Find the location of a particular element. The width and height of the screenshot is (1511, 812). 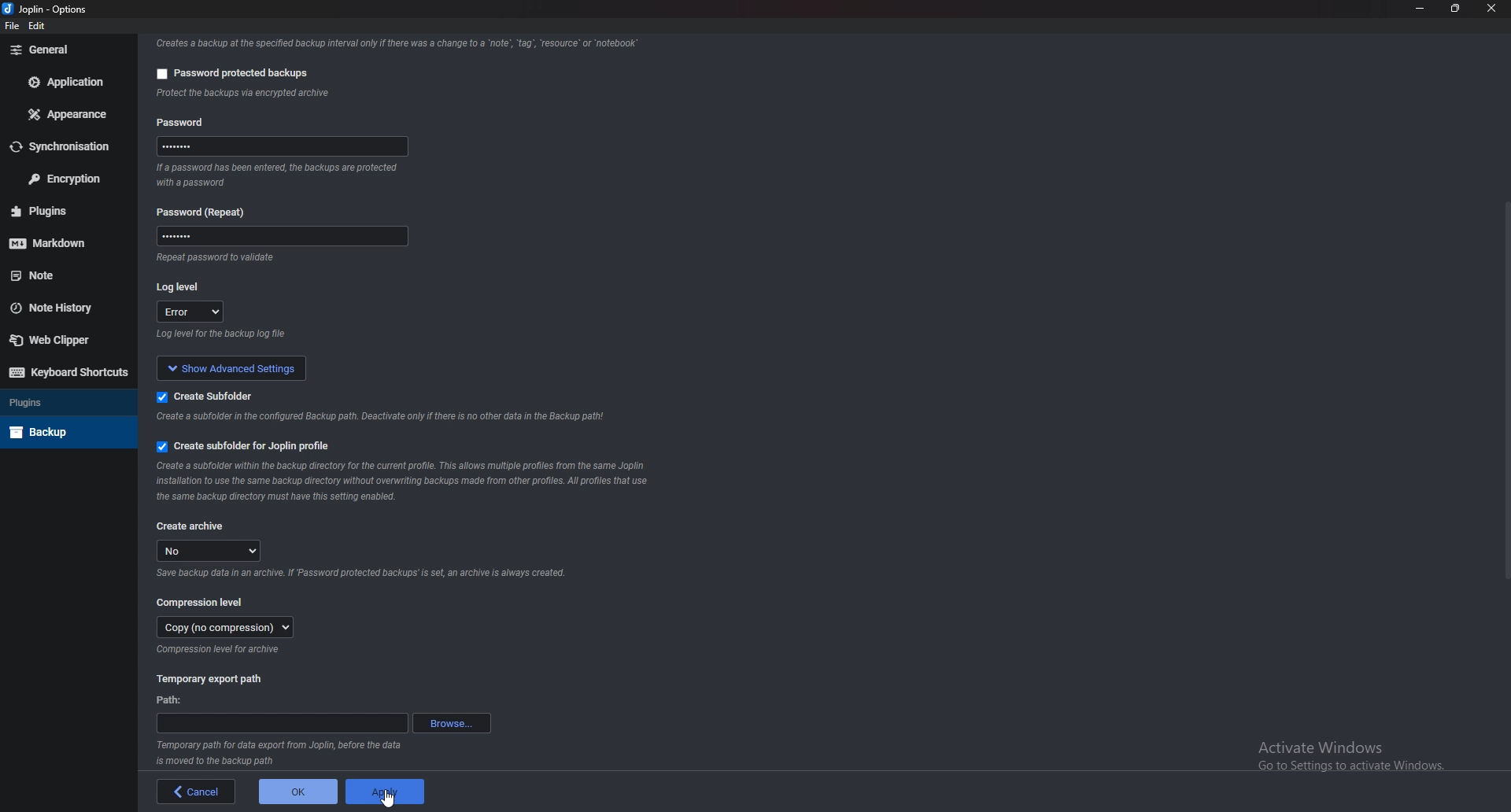

apply is located at coordinates (386, 792).